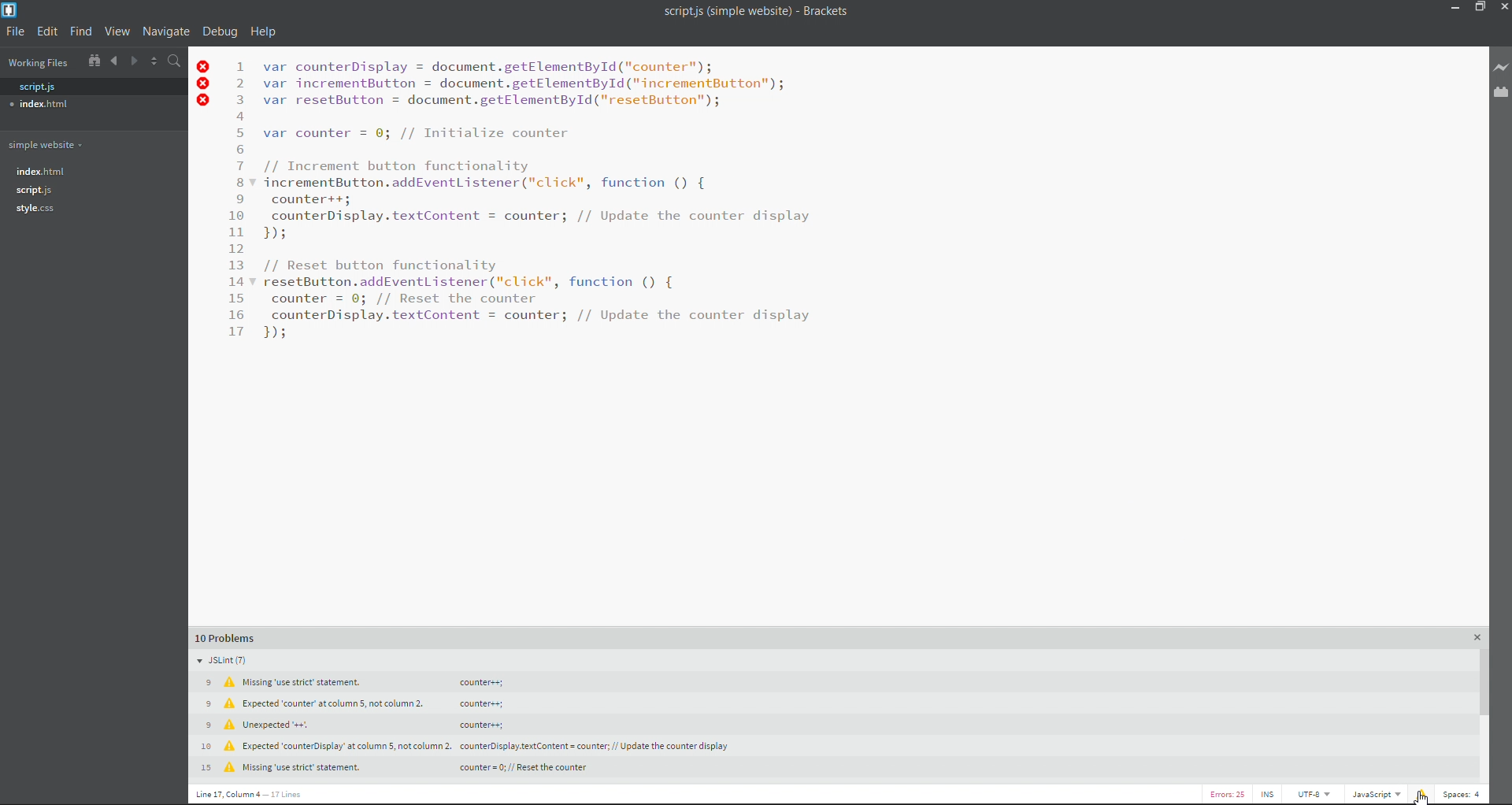  What do you see at coordinates (176, 61) in the screenshot?
I see `search` at bounding box center [176, 61].